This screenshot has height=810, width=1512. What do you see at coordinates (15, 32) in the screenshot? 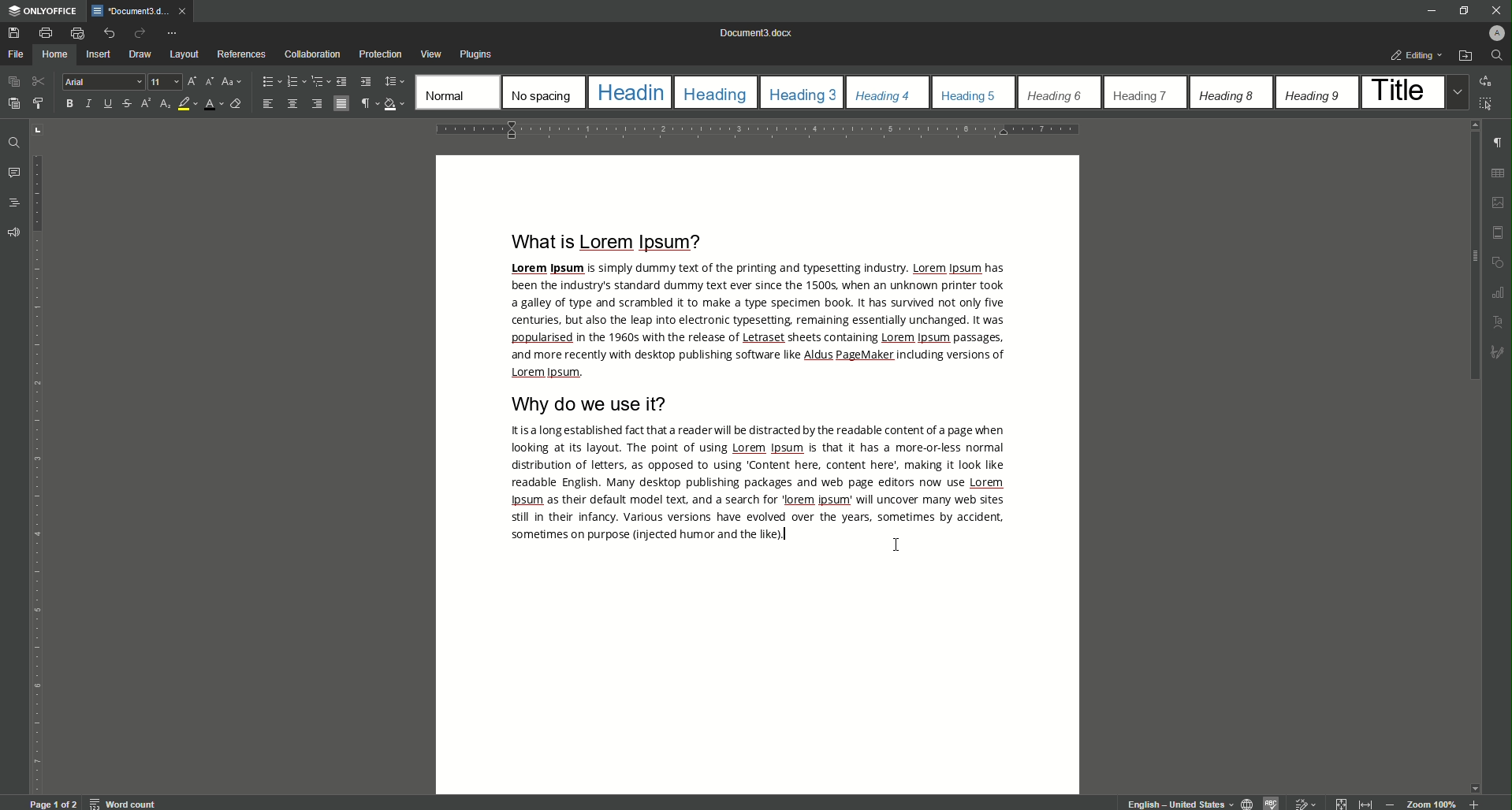
I see `Save` at bounding box center [15, 32].